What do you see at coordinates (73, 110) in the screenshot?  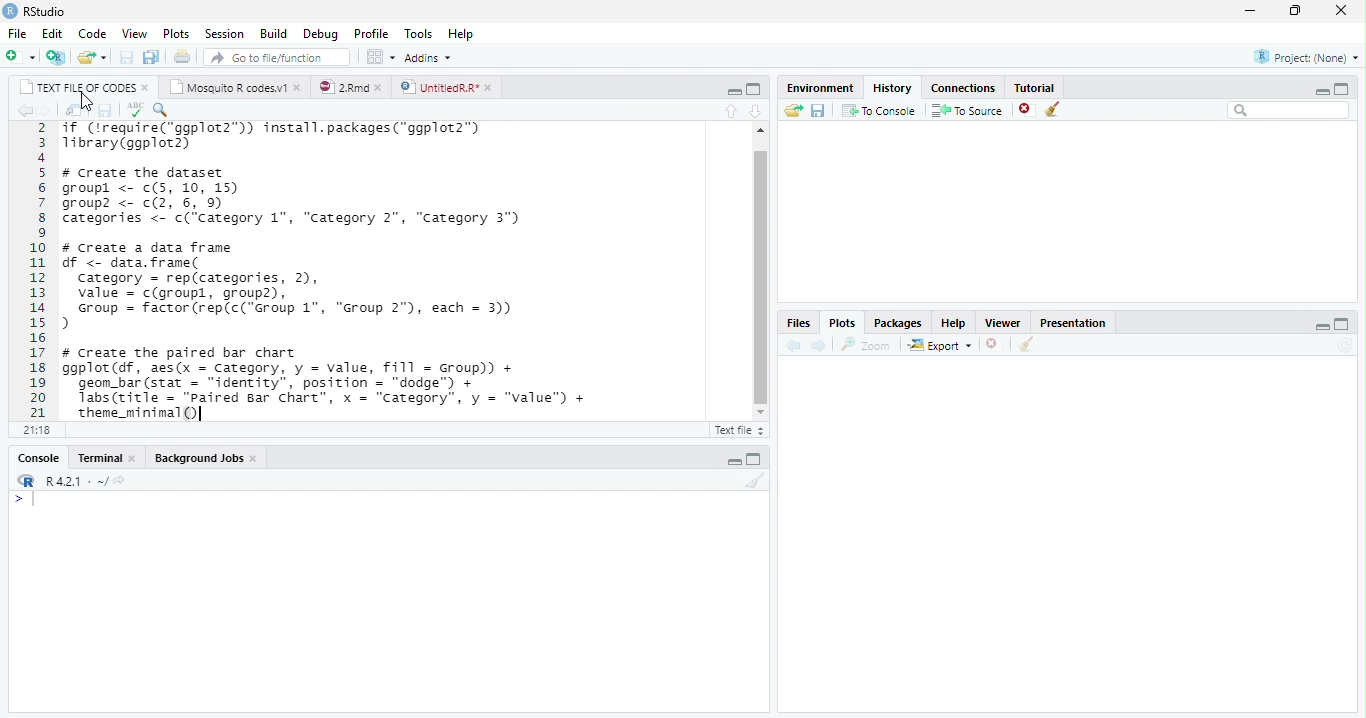 I see `show in new window` at bounding box center [73, 110].